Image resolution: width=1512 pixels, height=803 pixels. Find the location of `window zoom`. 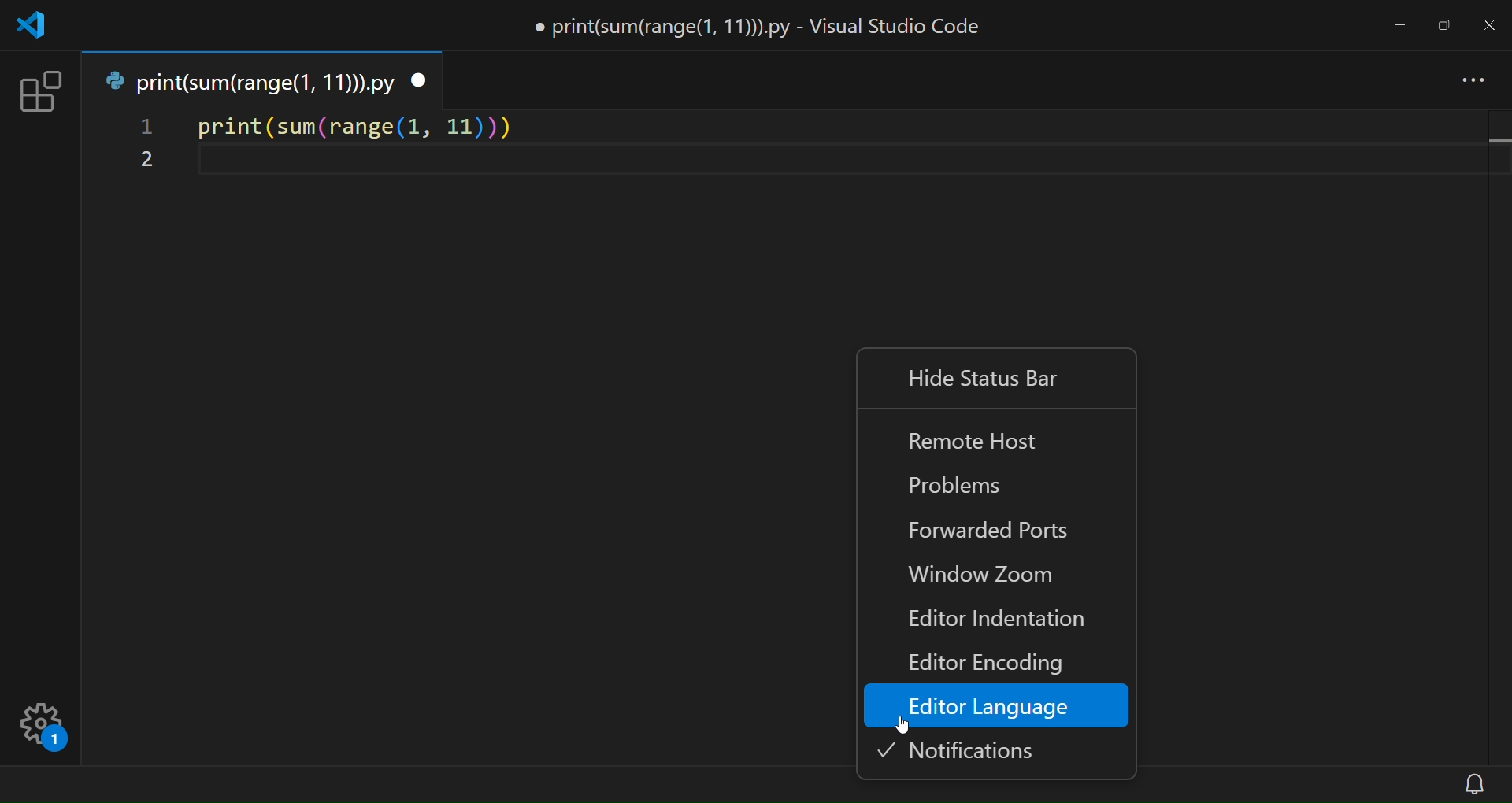

window zoom is located at coordinates (984, 576).